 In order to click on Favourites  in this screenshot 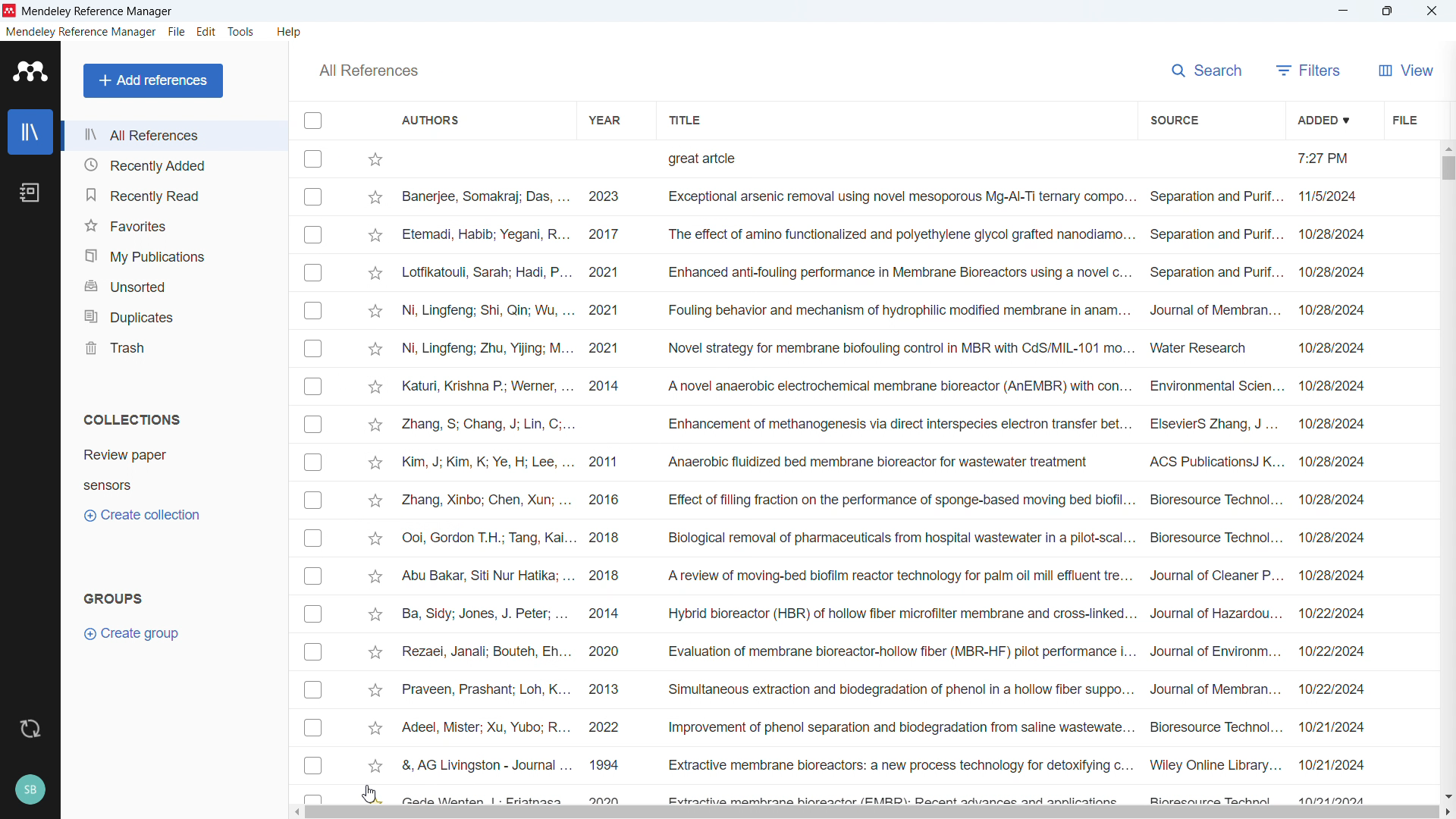, I will do `click(173, 225)`.